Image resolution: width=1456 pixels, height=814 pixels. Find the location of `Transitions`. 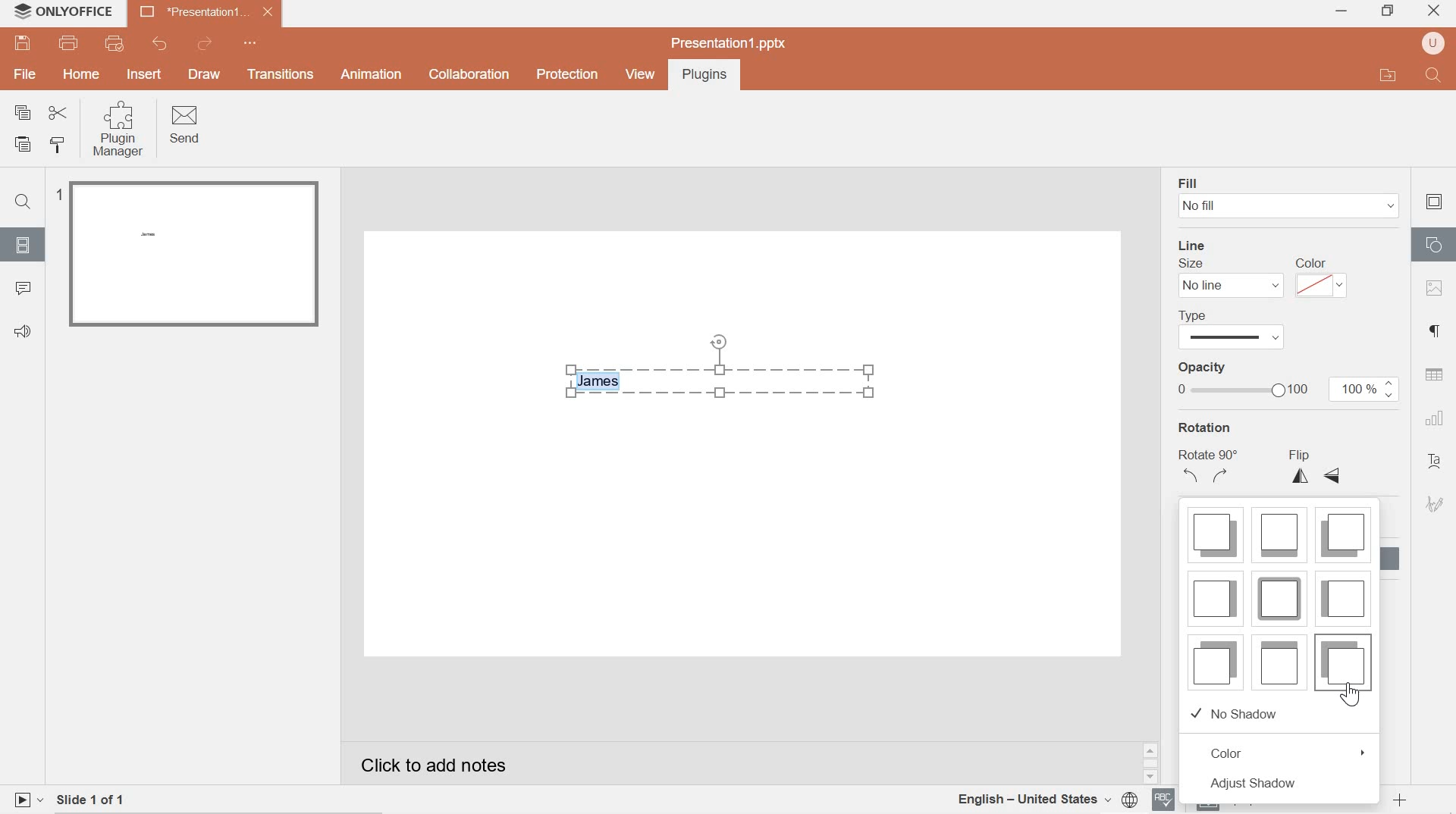

Transitions is located at coordinates (281, 75).